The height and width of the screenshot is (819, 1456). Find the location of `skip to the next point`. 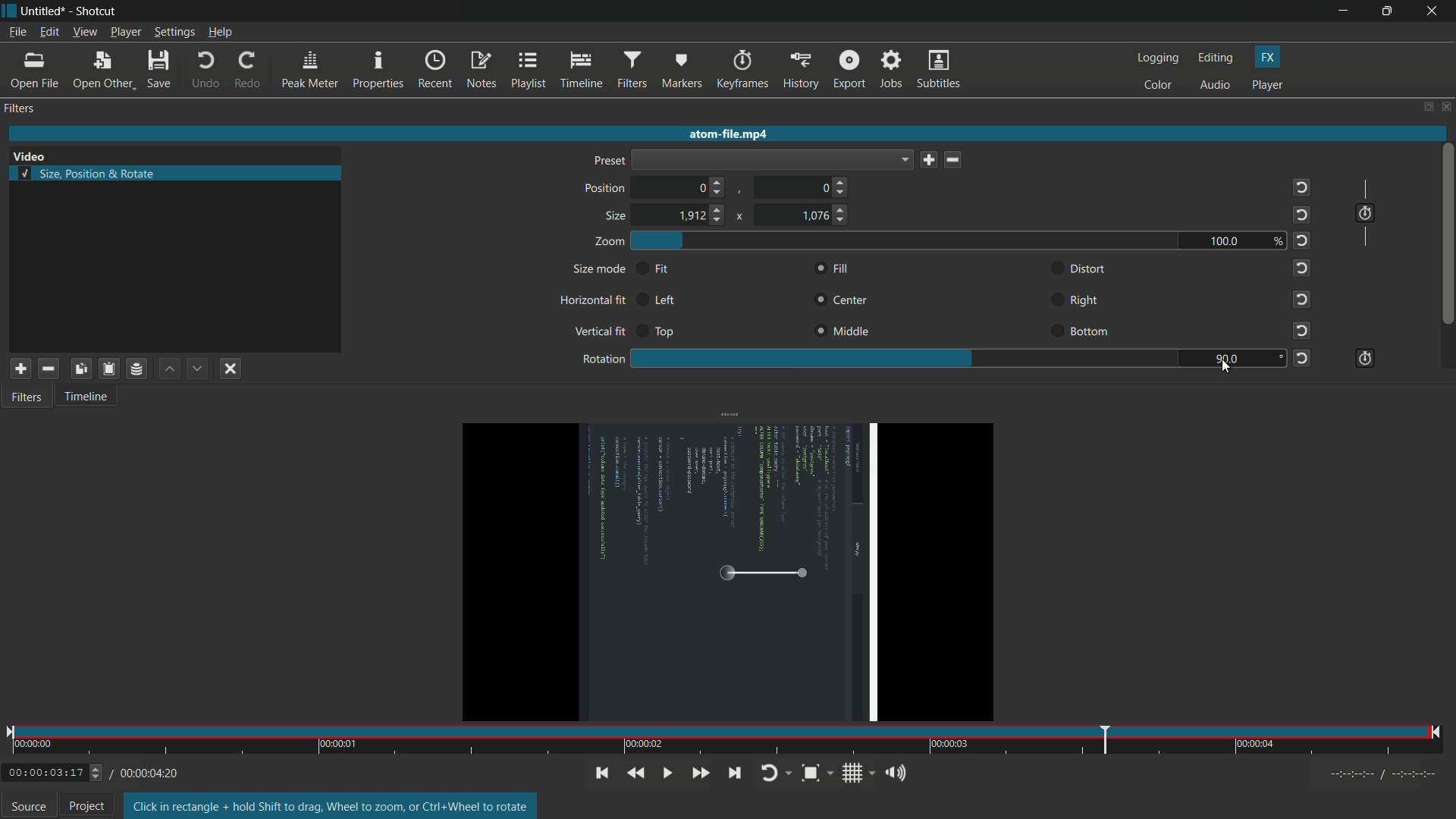

skip to the next point is located at coordinates (734, 773).